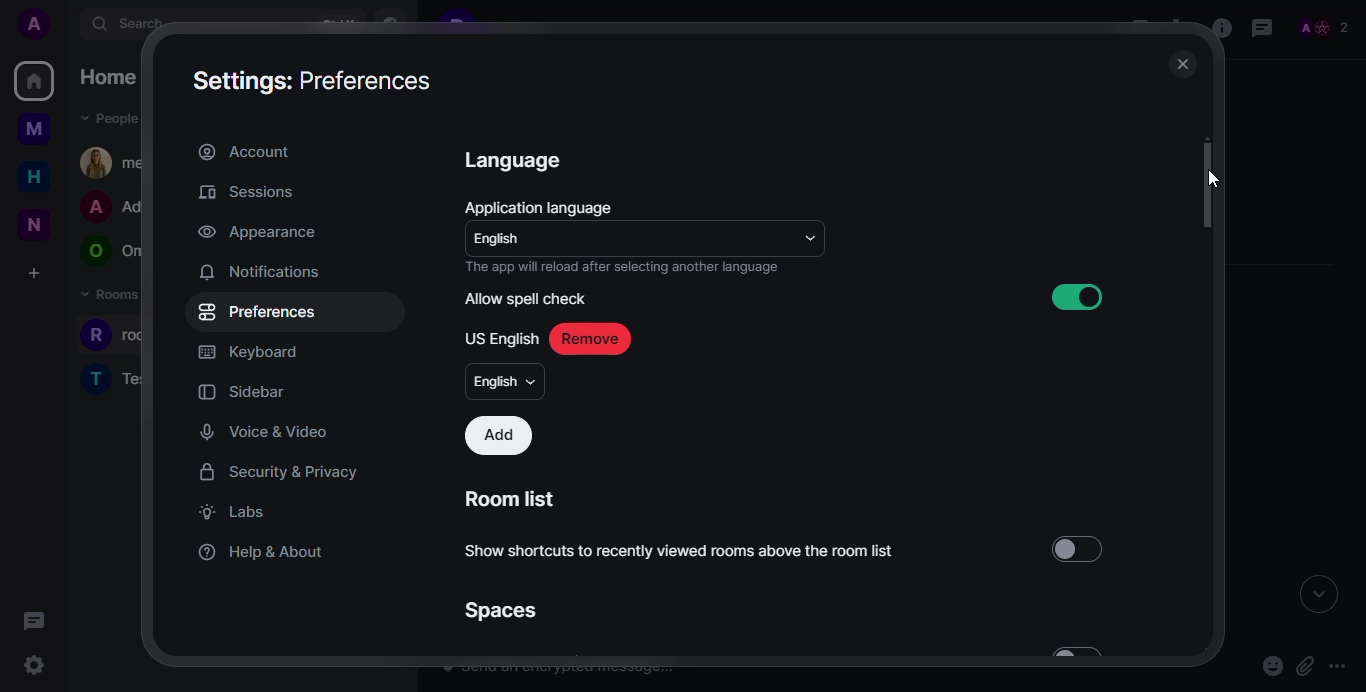 This screenshot has height=692, width=1366. What do you see at coordinates (136, 25) in the screenshot?
I see `search` at bounding box center [136, 25].